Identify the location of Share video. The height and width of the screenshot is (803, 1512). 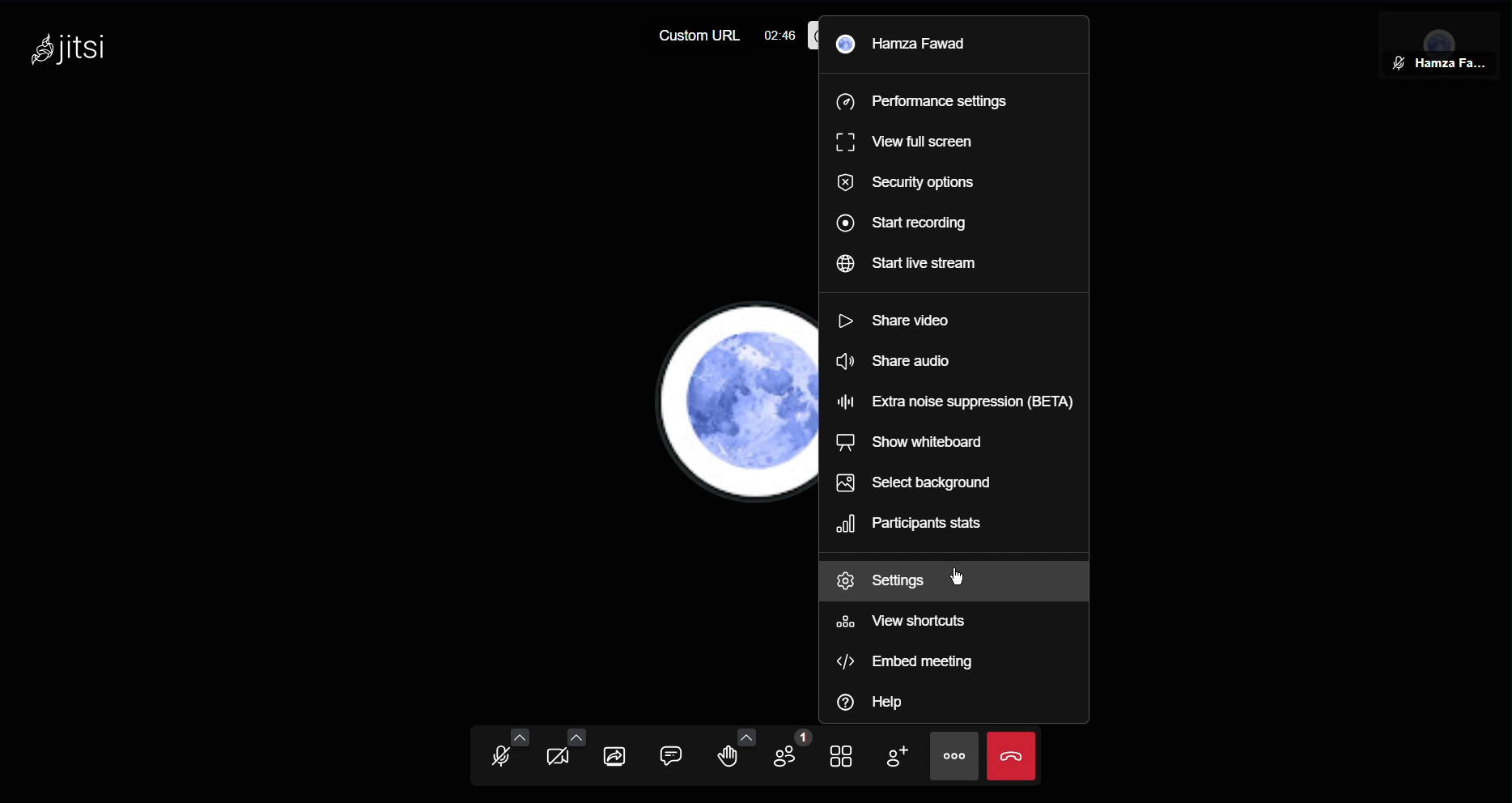
(905, 321).